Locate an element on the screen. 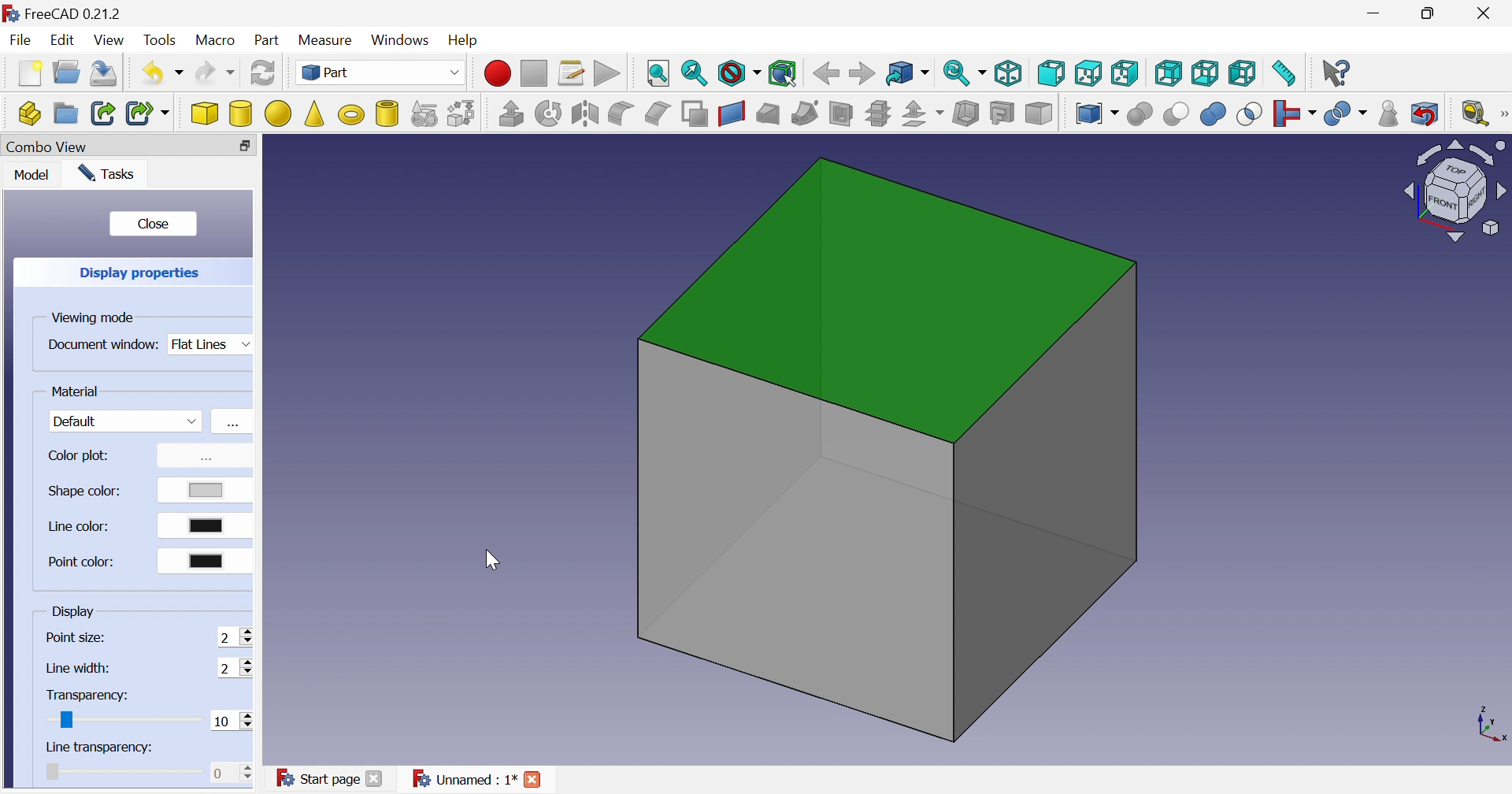 The height and width of the screenshot is (794, 1512). Check geometry is located at coordinates (1389, 114).